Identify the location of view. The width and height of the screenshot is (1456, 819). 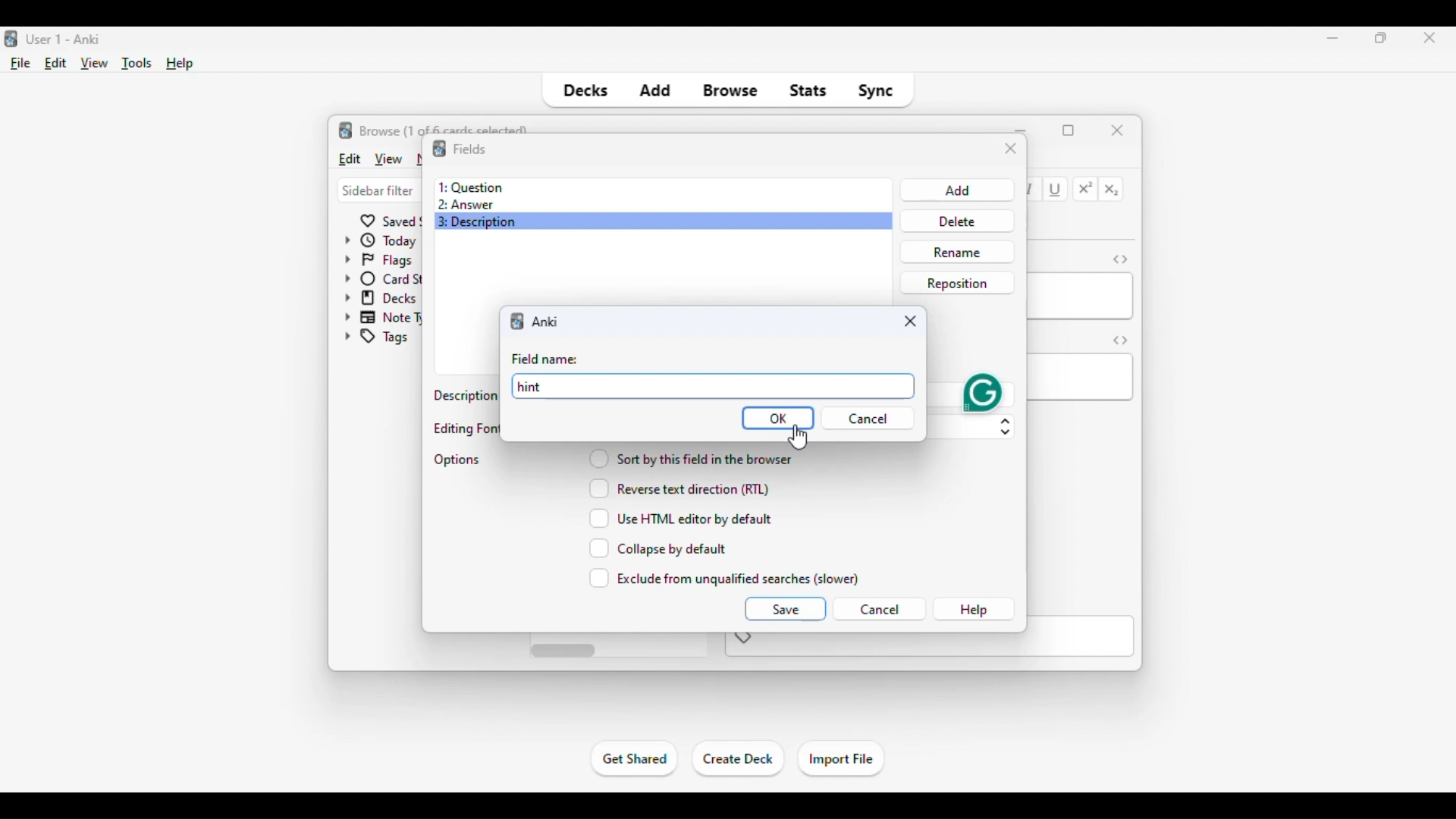
(388, 158).